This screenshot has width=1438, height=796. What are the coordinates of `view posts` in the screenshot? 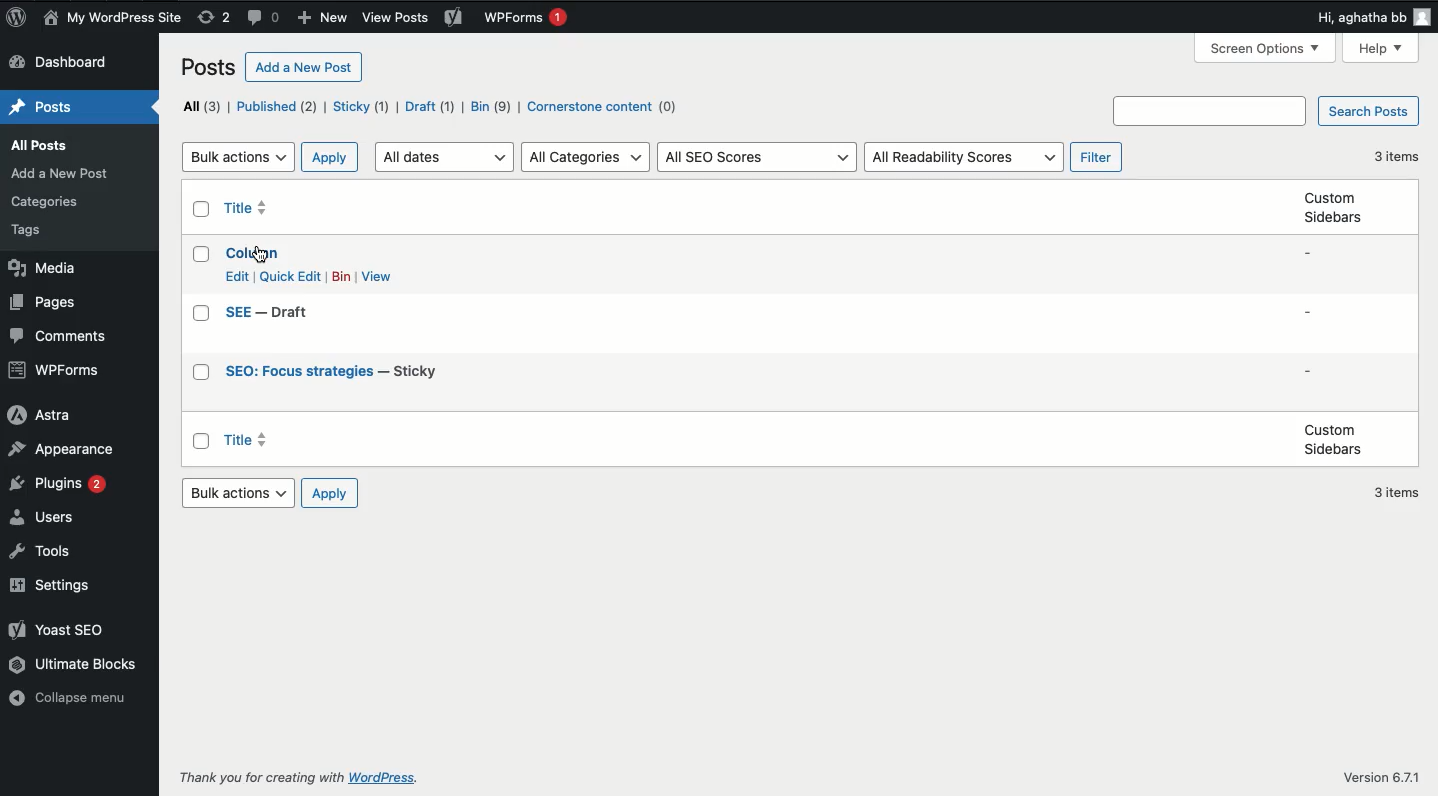 It's located at (397, 17).